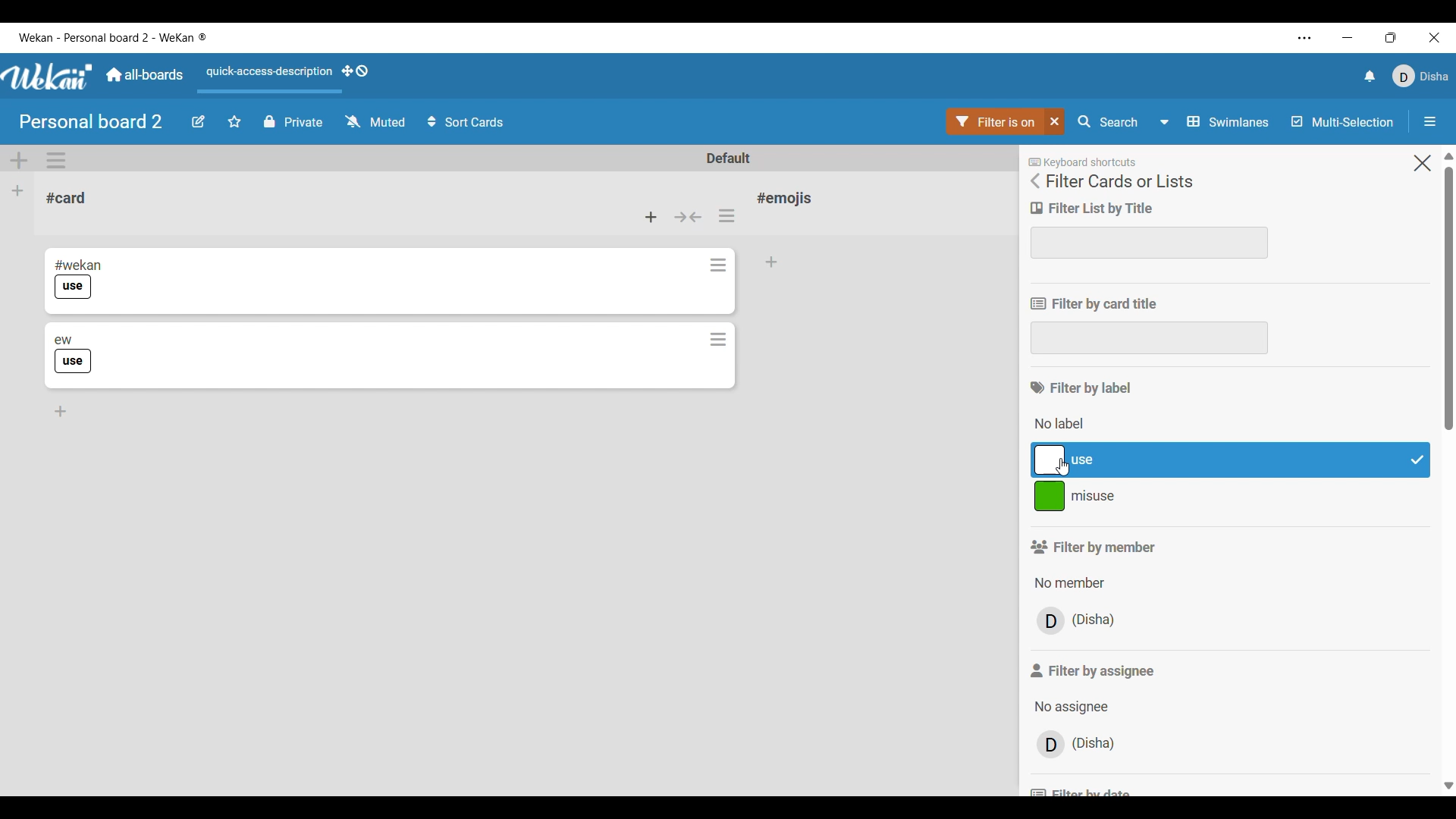 Image resolution: width=1456 pixels, height=819 pixels. What do you see at coordinates (727, 158) in the screenshot?
I see `Default` at bounding box center [727, 158].